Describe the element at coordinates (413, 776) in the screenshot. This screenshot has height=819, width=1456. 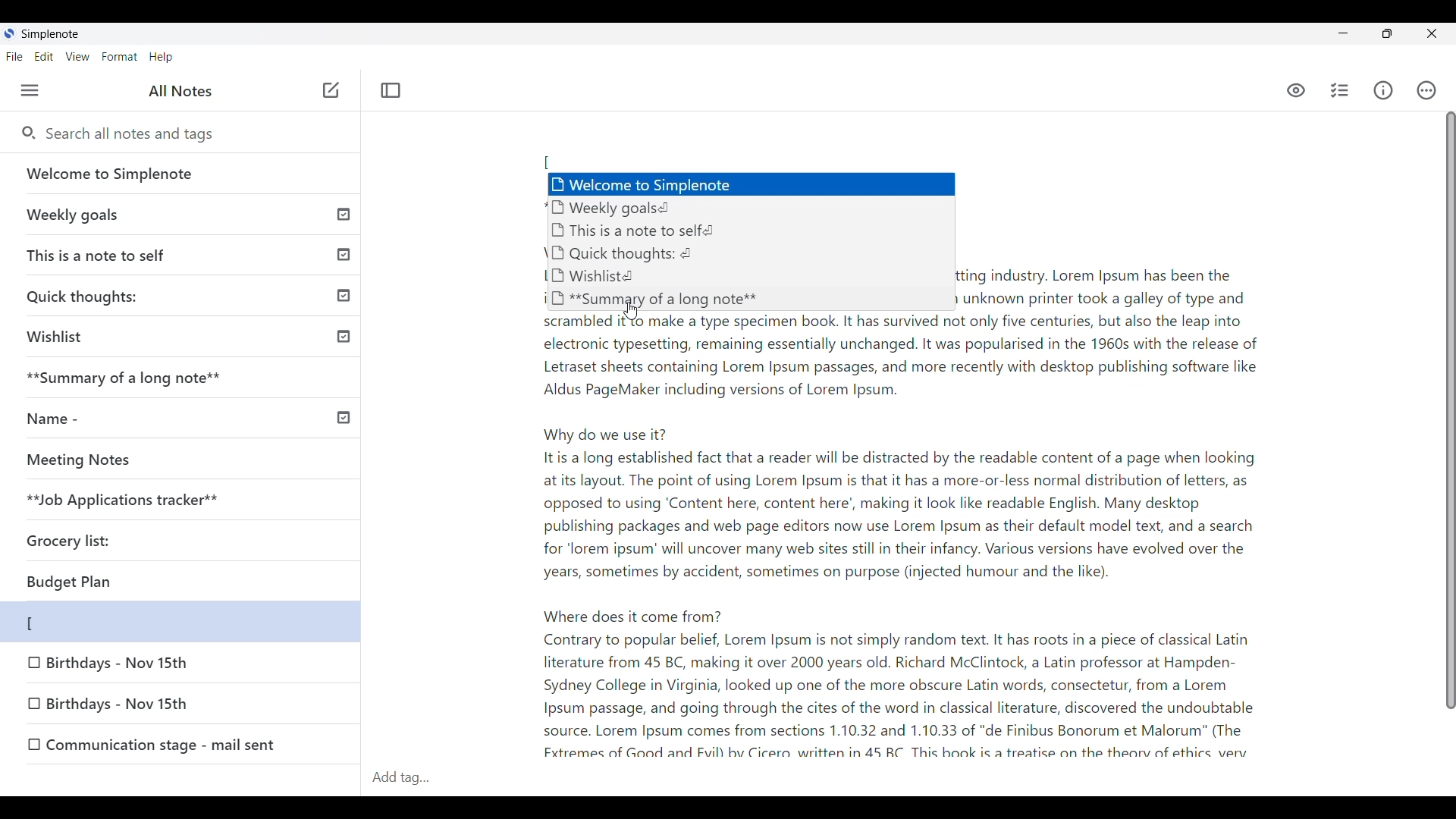
I see `Add tag` at that location.